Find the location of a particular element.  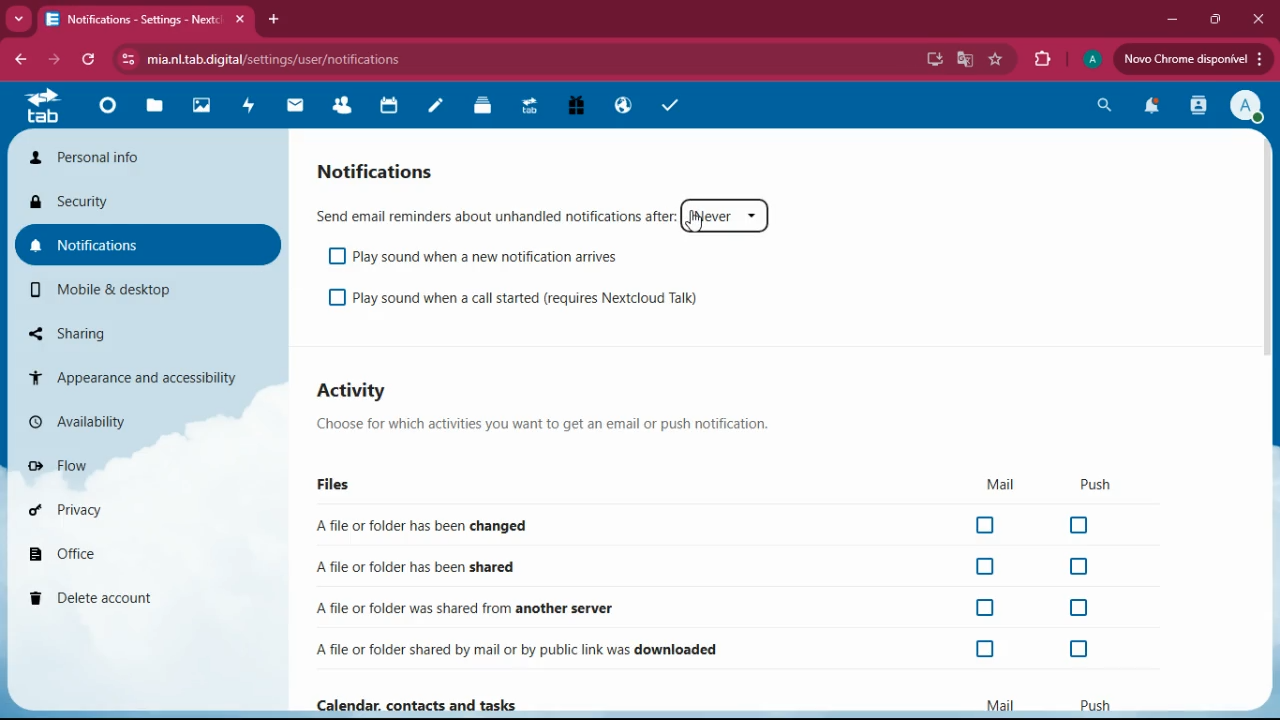

play sound is located at coordinates (540, 301).